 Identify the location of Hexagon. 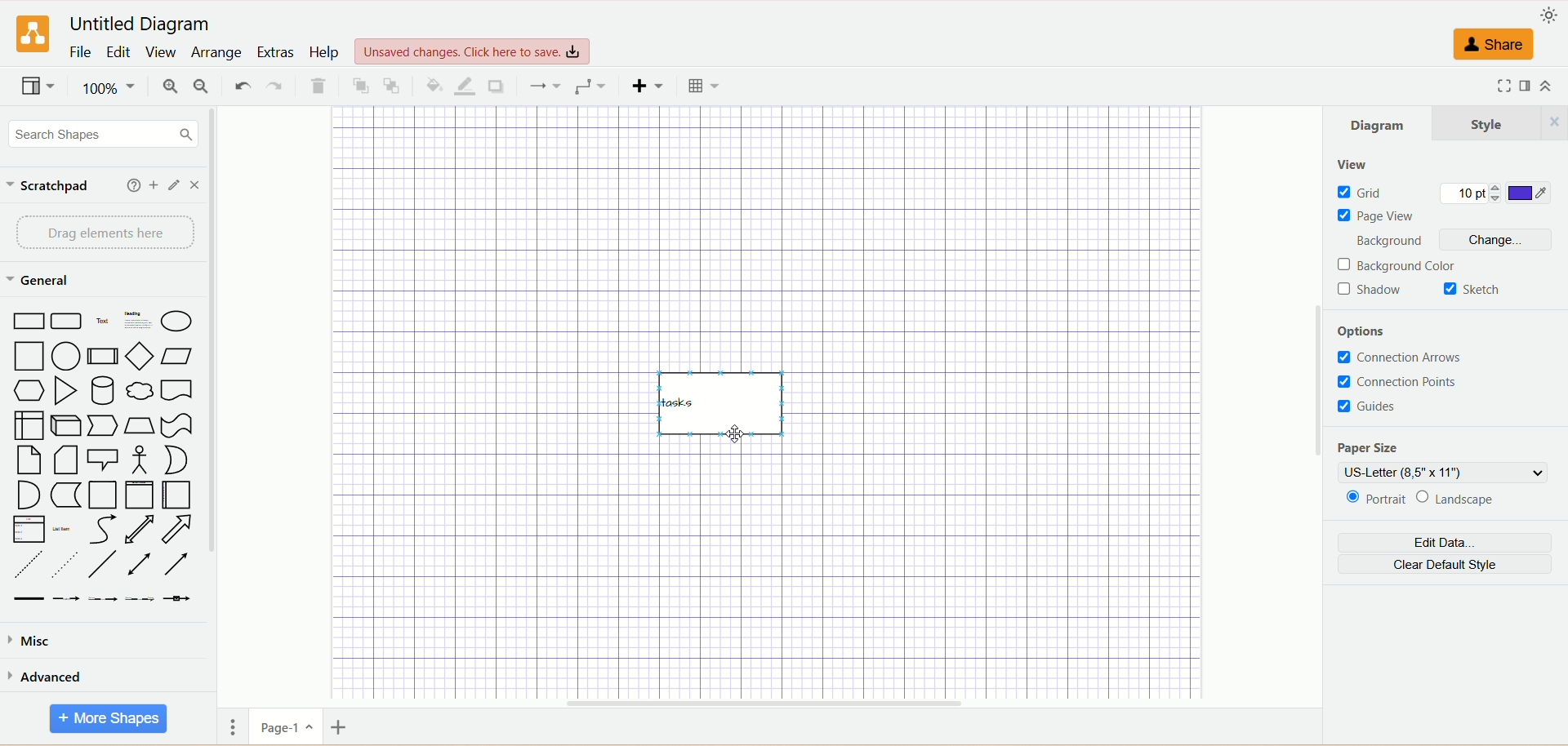
(29, 392).